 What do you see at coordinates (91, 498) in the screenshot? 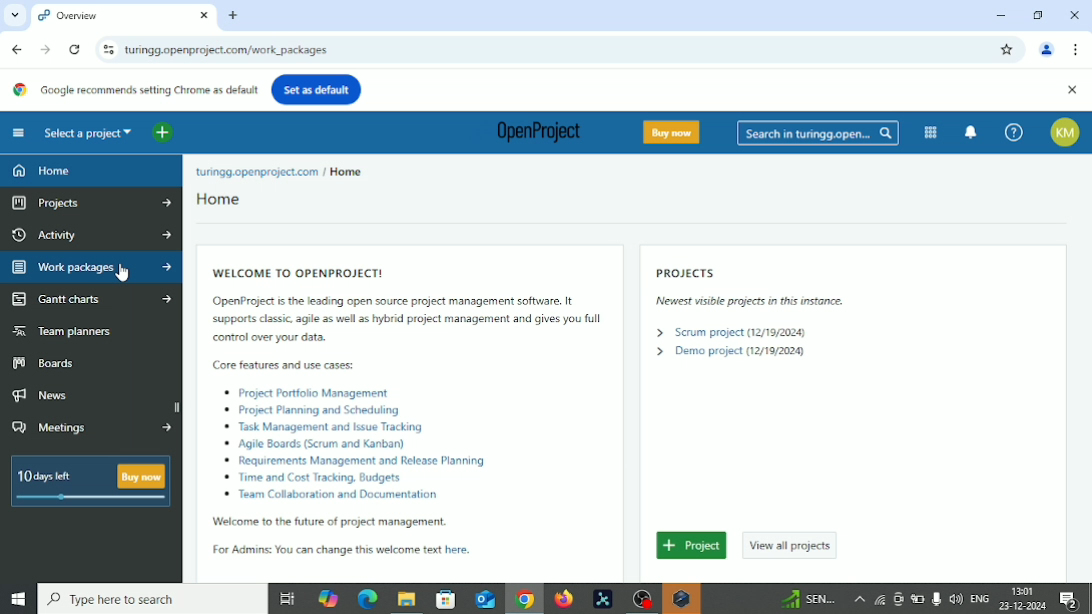
I see `days of subscription left in slide bar` at bounding box center [91, 498].